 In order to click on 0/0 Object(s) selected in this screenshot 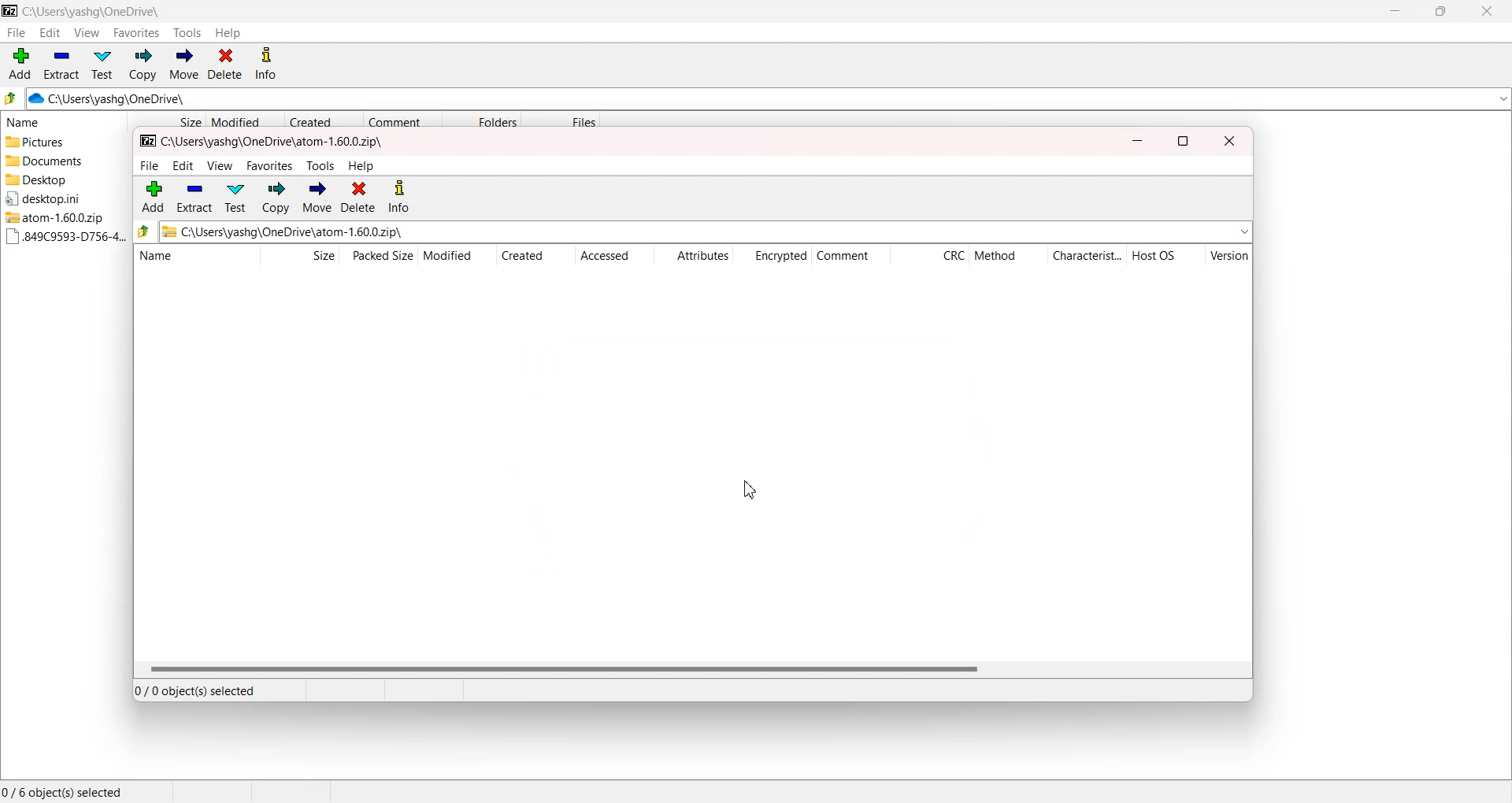, I will do `click(196, 690)`.